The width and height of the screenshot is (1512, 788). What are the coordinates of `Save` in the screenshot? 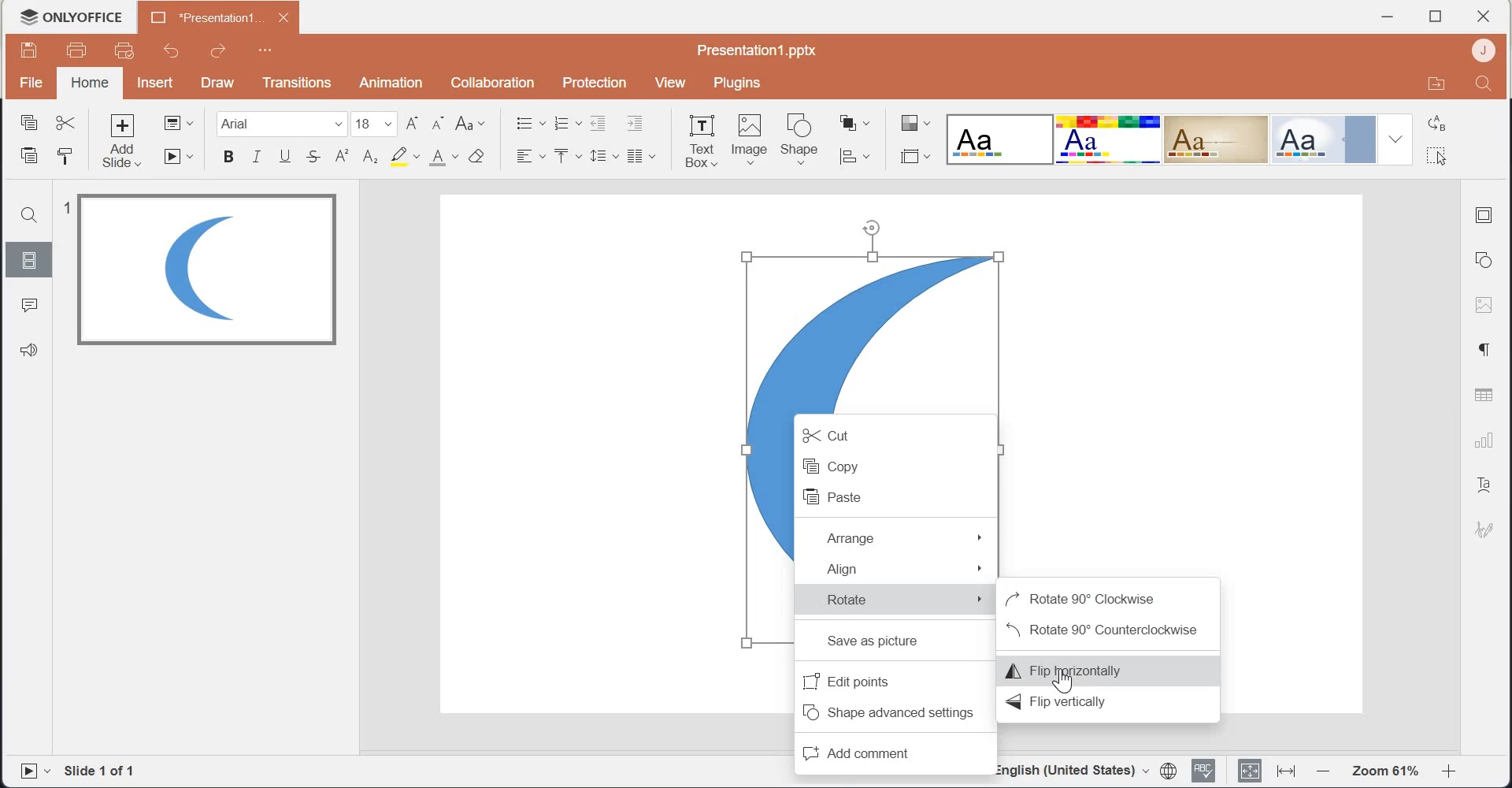 It's located at (32, 50).